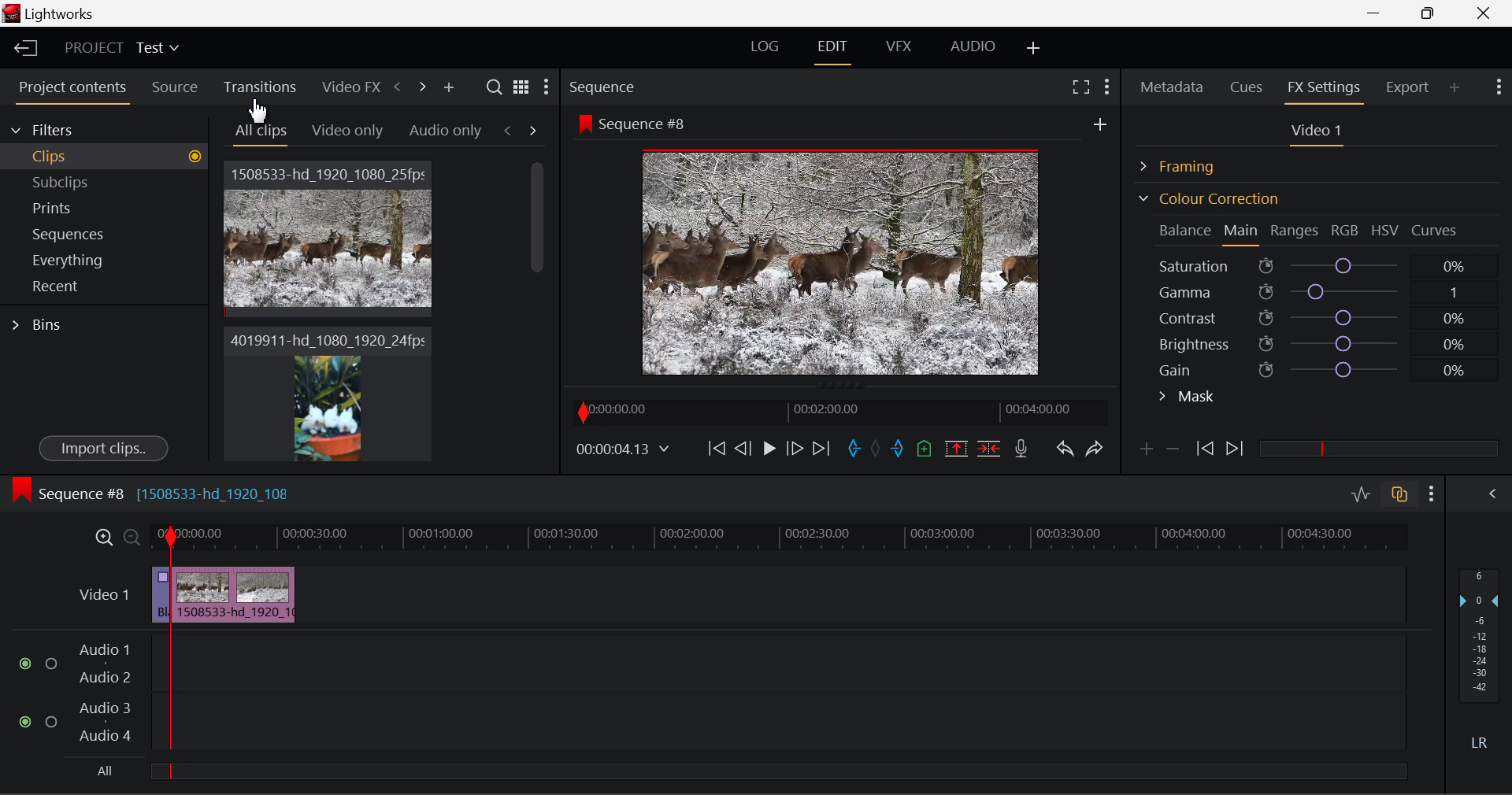 This screenshot has height=795, width=1512. I want to click on To End, so click(821, 449).